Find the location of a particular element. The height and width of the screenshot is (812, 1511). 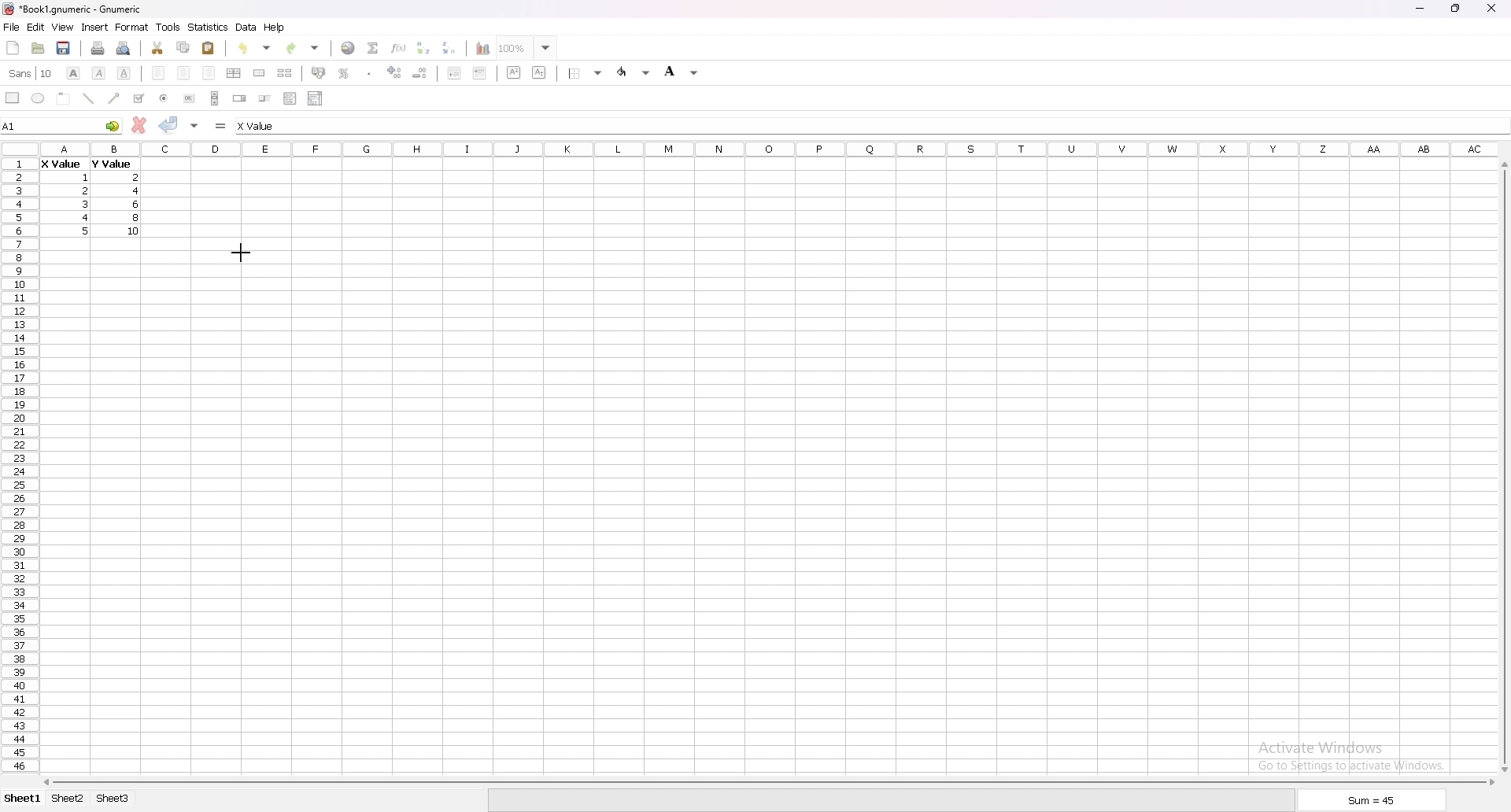

rectangle is located at coordinates (13, 97).